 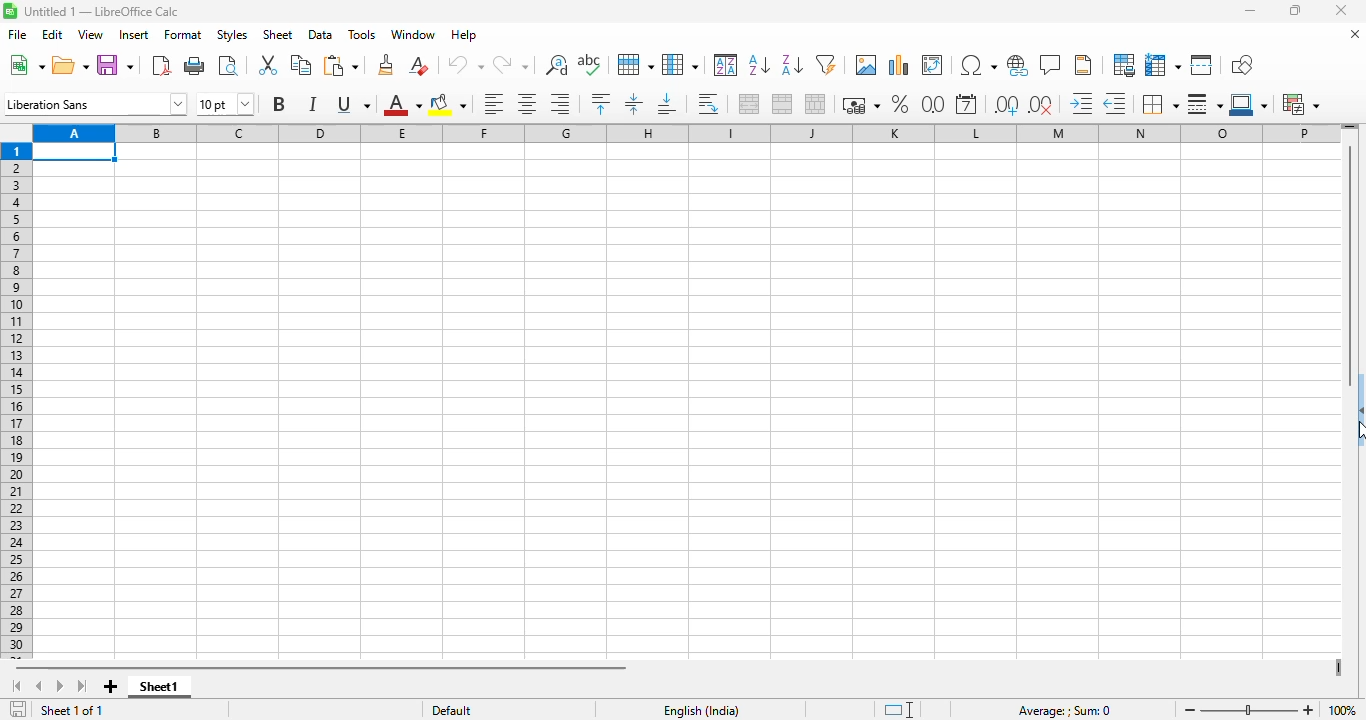 I want to click on insert image, so click(x=867, y=65).